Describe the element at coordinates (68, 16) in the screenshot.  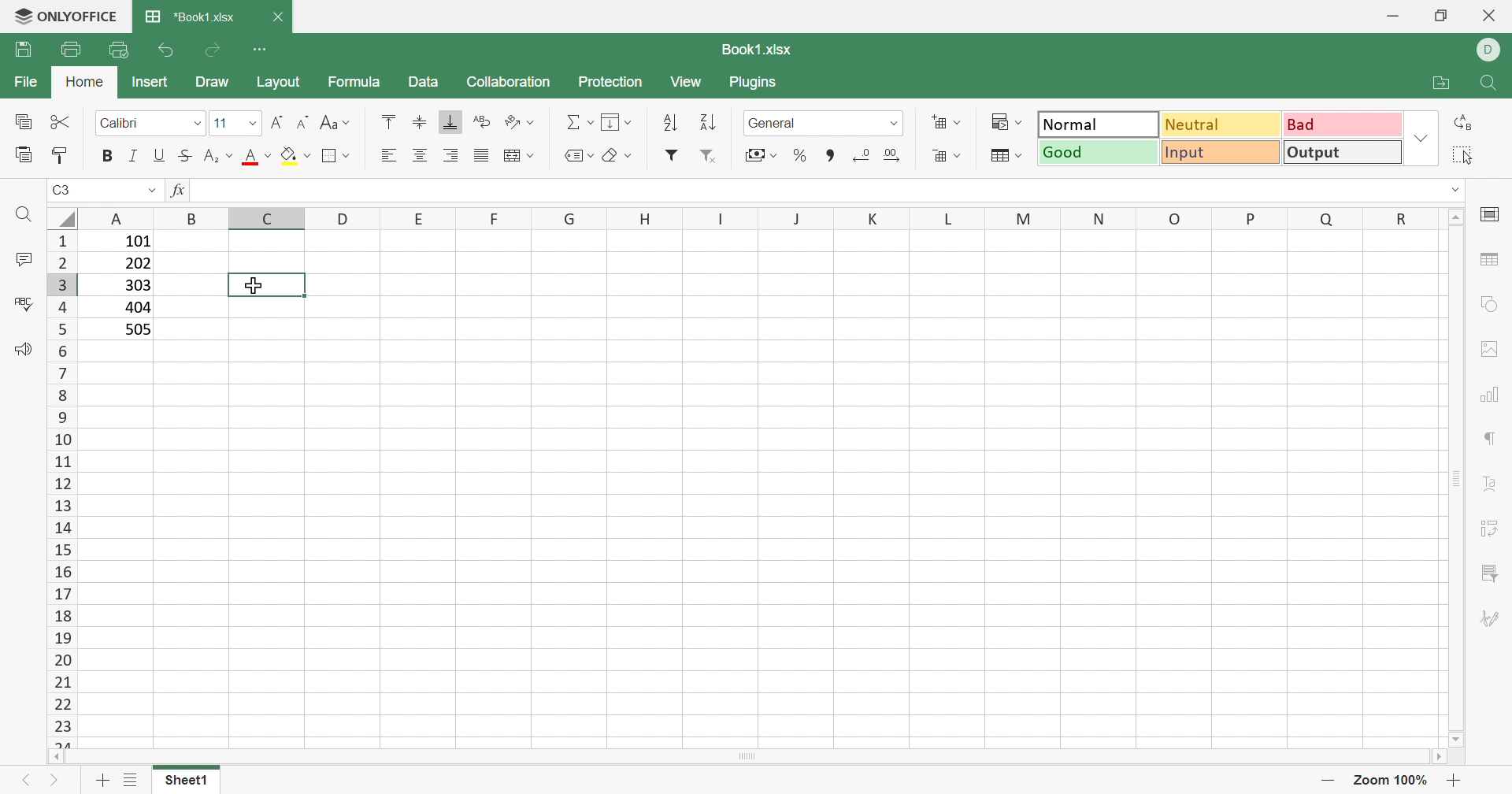
I see `ONLYOFFICE` at that location.